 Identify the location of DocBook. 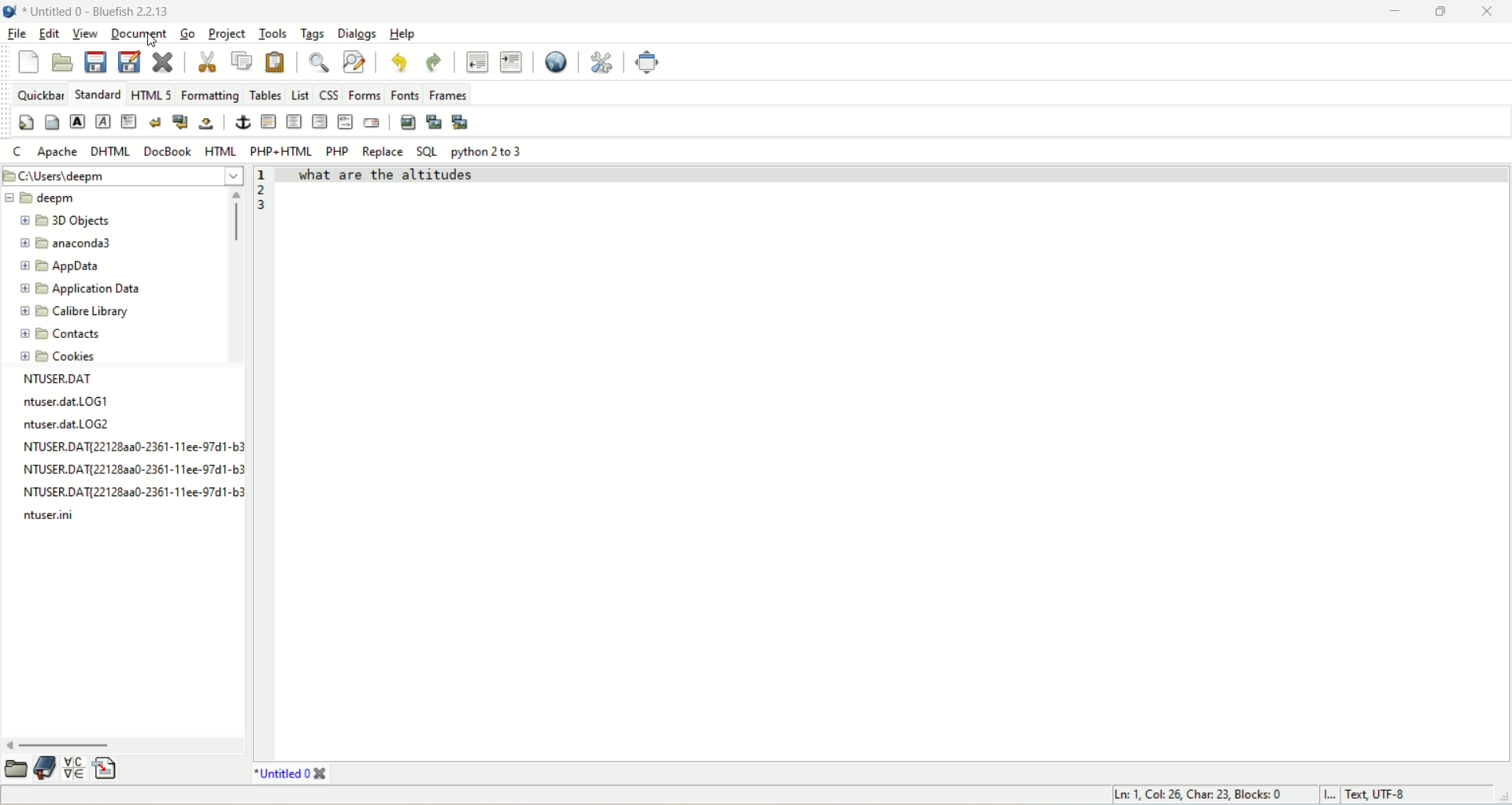
(168, 153).